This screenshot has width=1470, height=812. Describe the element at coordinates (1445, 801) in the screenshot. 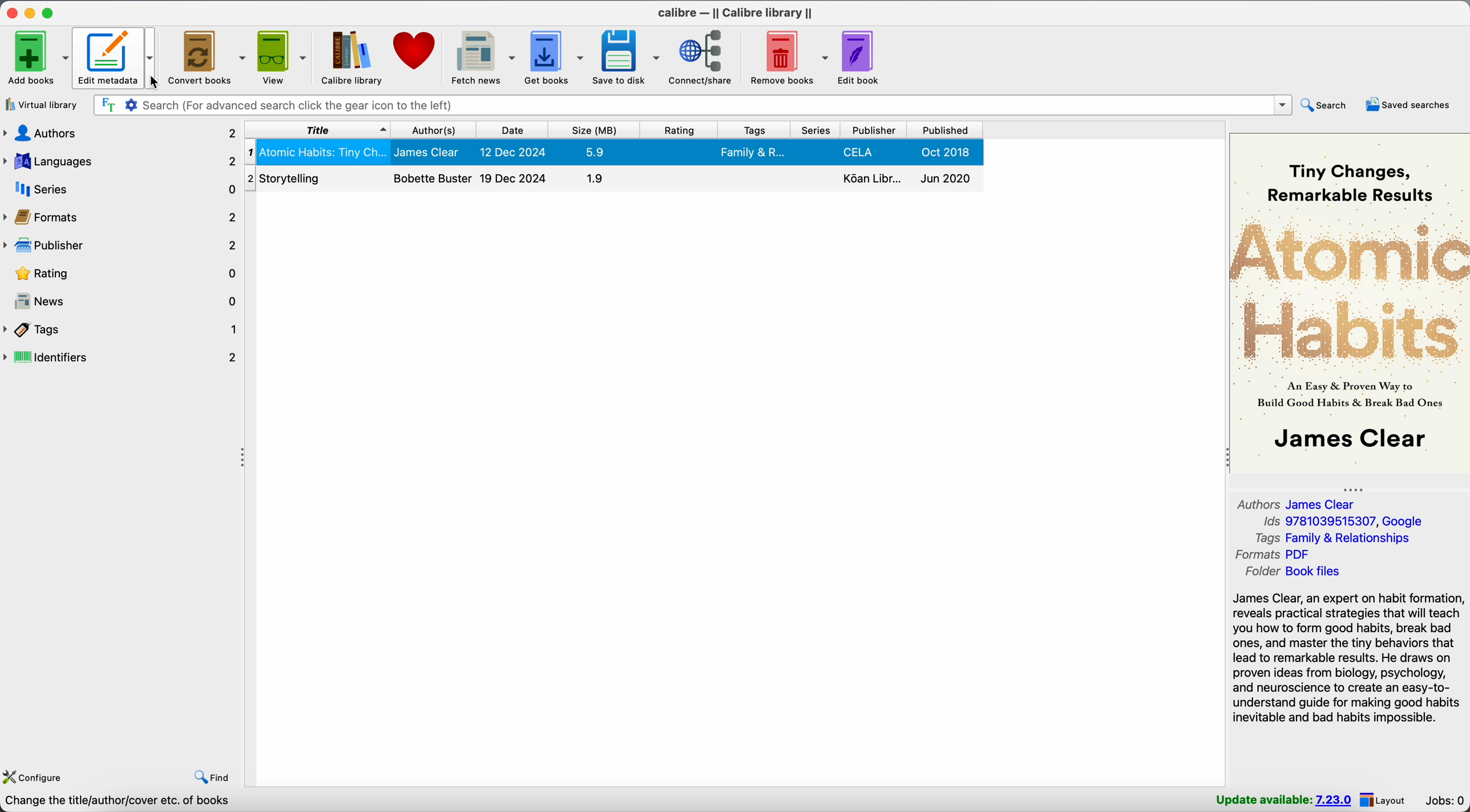

I see `Jobs: 0` at that location.